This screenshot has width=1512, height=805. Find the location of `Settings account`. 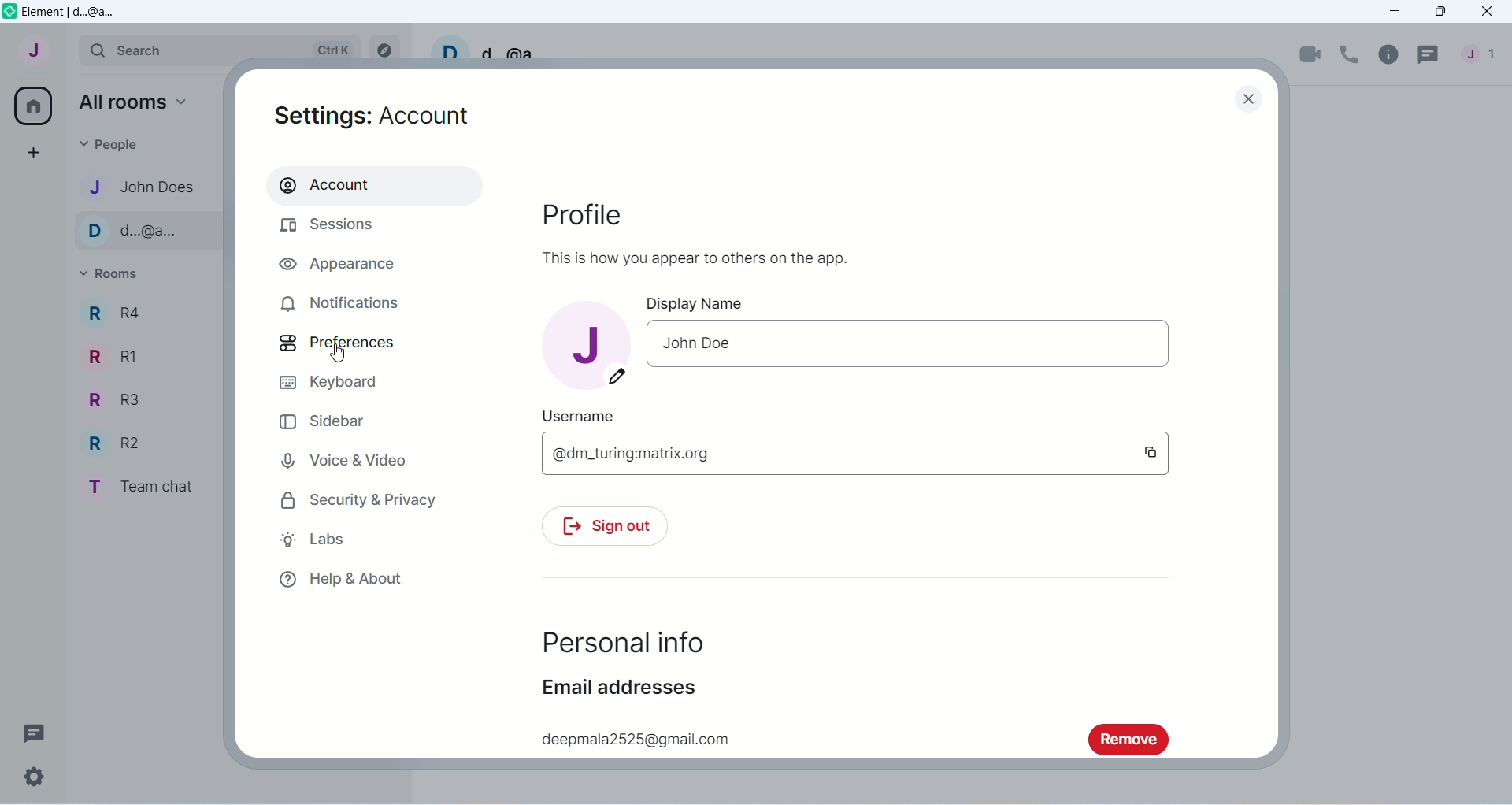

Settings account is located at coordinates (372, 118).